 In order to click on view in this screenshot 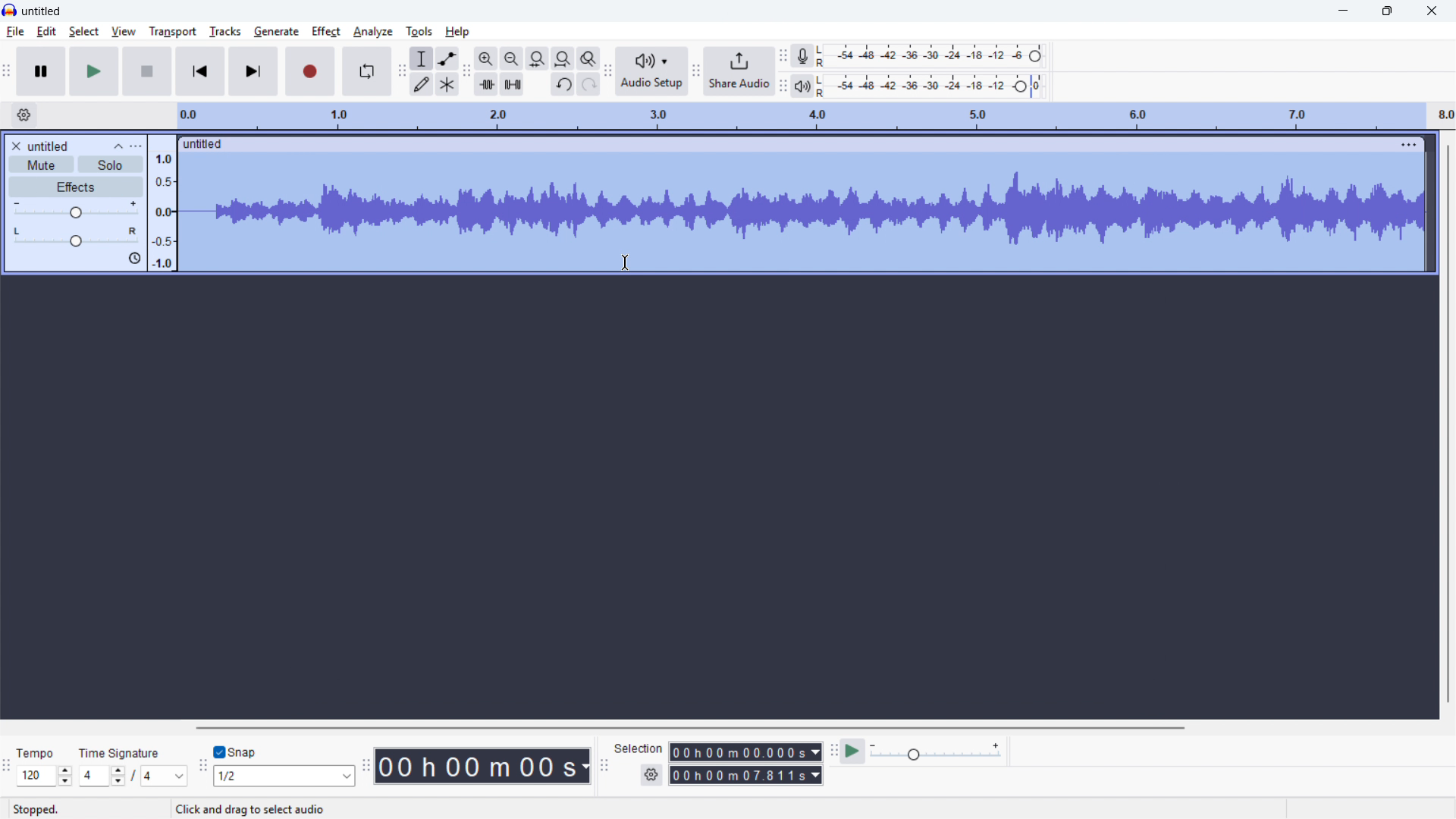, I will do `click(124, 31)`.